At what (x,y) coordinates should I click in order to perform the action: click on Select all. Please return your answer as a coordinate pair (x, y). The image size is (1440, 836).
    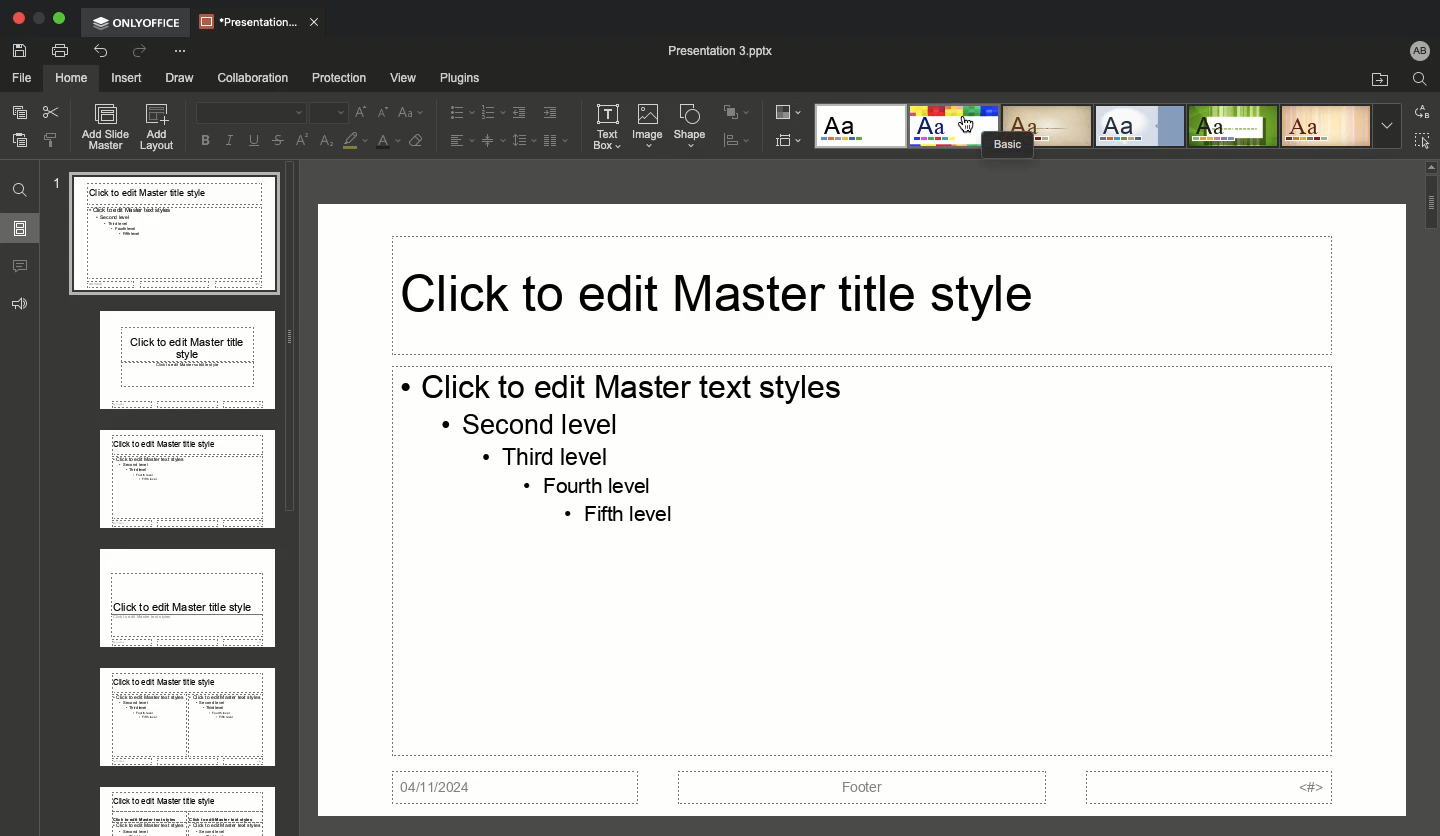
    Looking at the image, I should click on (1421, 142).